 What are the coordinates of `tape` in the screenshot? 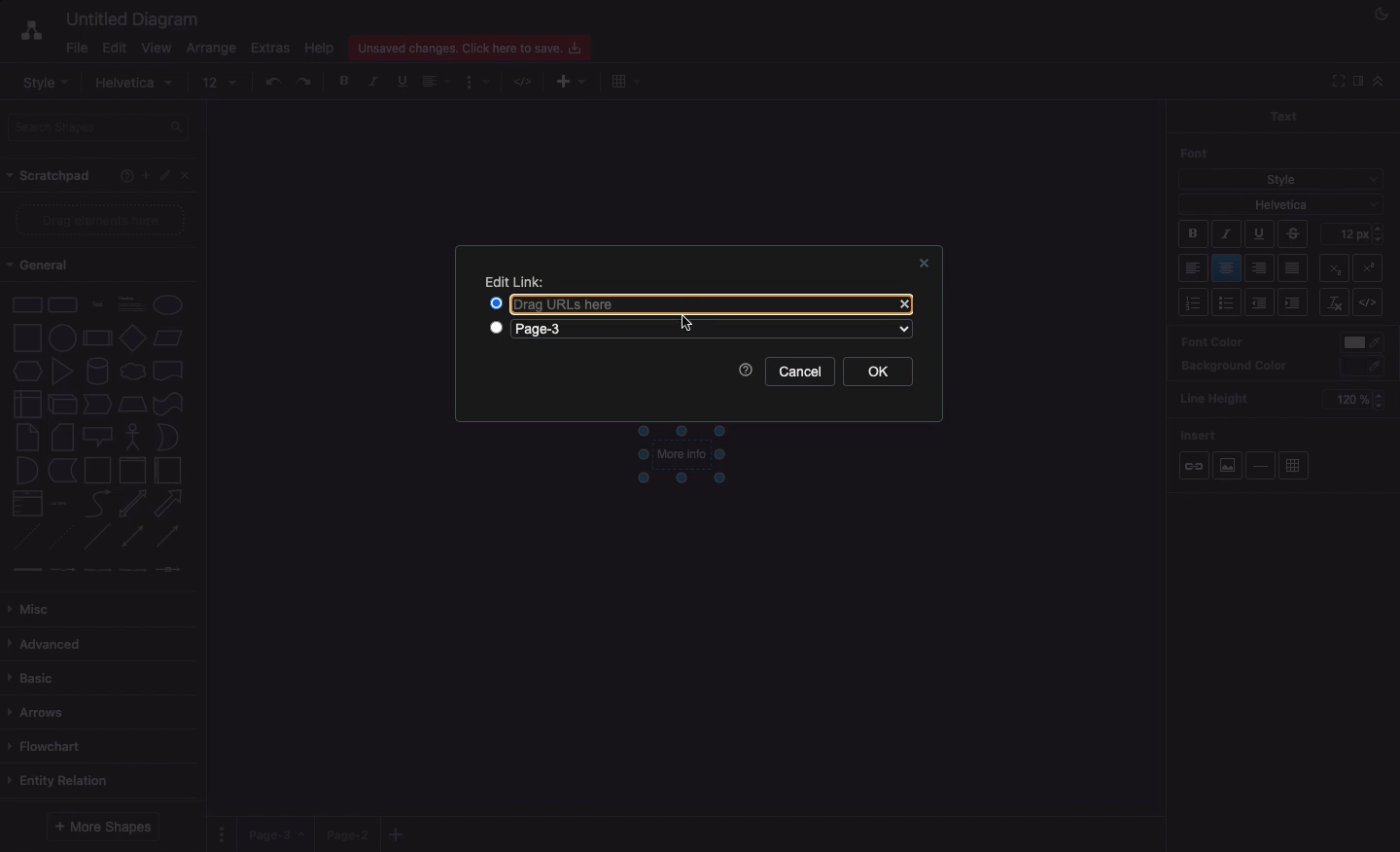 It's located at (168, 404).